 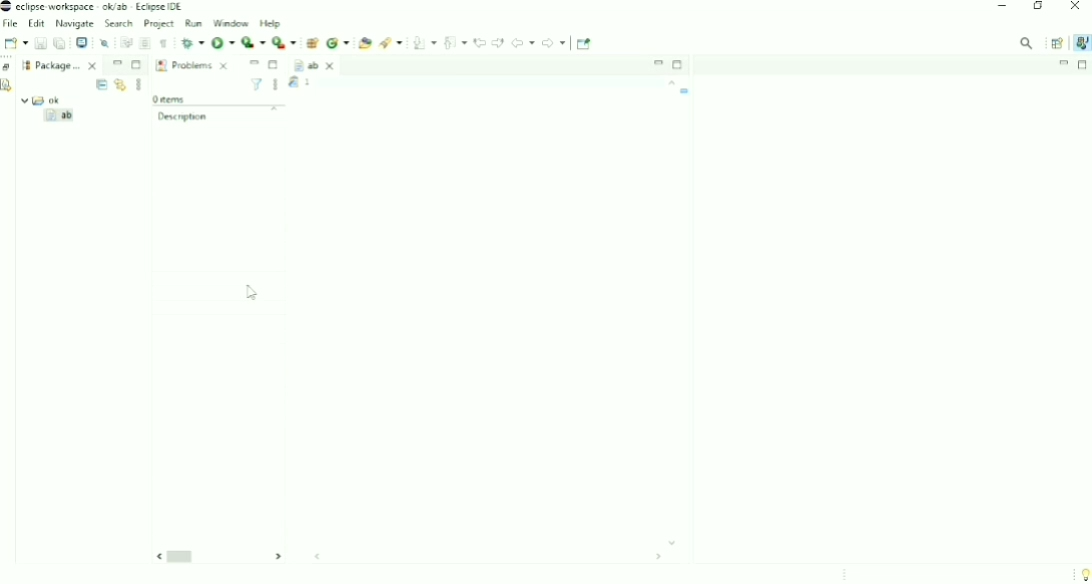 I want to click on Show Whitespace Characters, so click(x=164, y=44).